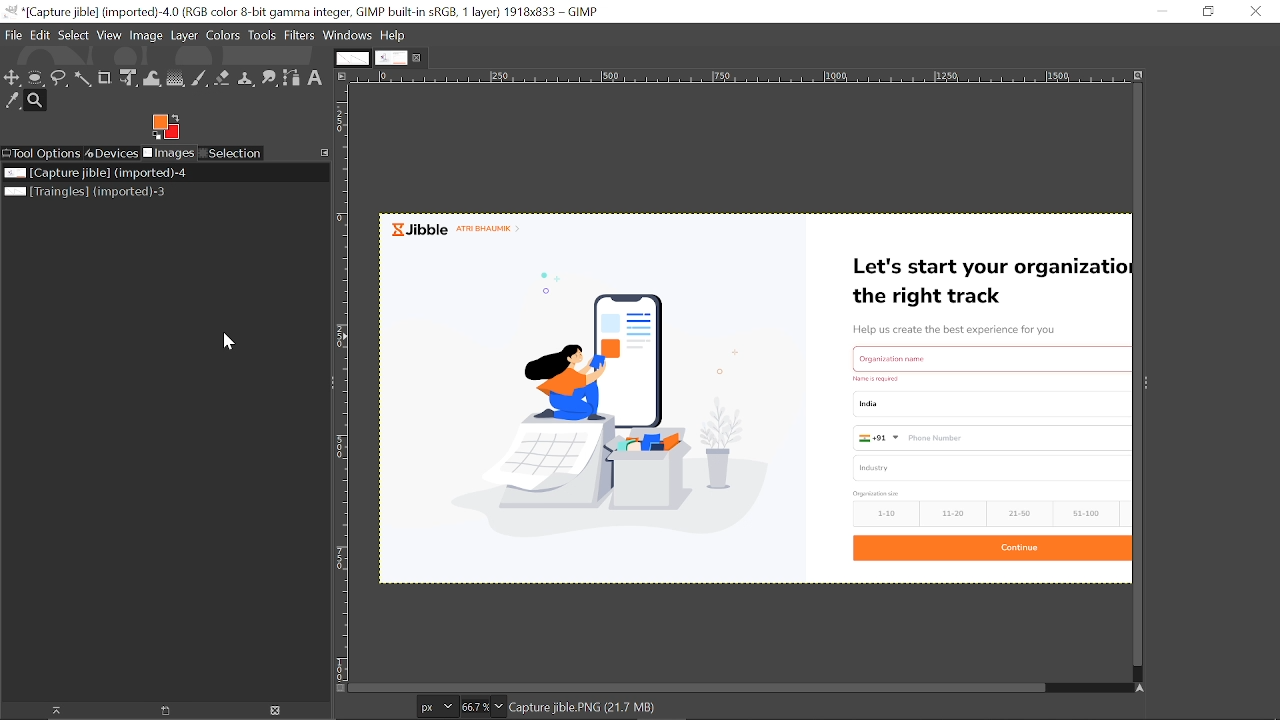 The width and height of the screenshot is (1280, 720). I want to click on Text, so click(315, 78).